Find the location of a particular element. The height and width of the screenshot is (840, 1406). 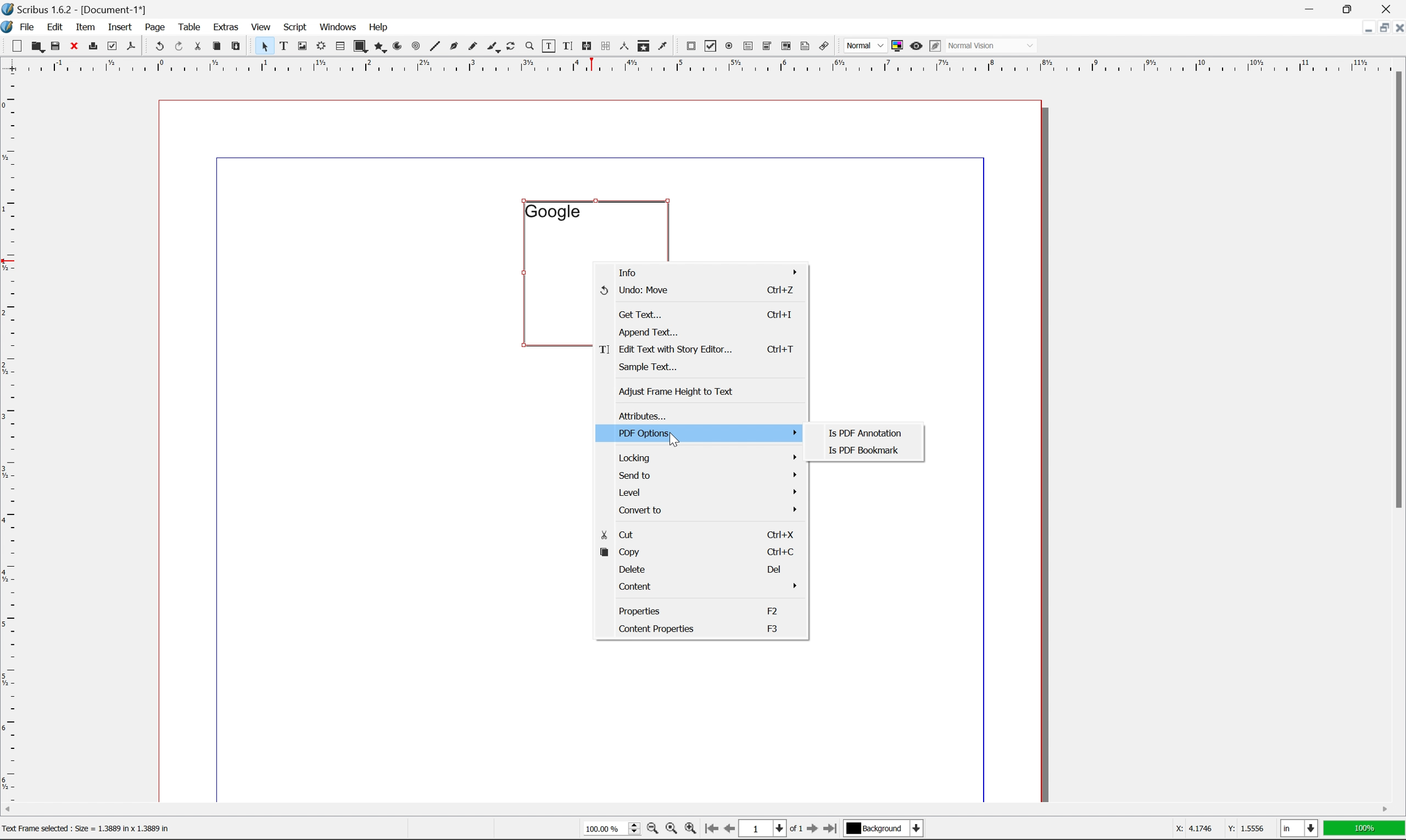

send to is located at coordinates (707, 475).